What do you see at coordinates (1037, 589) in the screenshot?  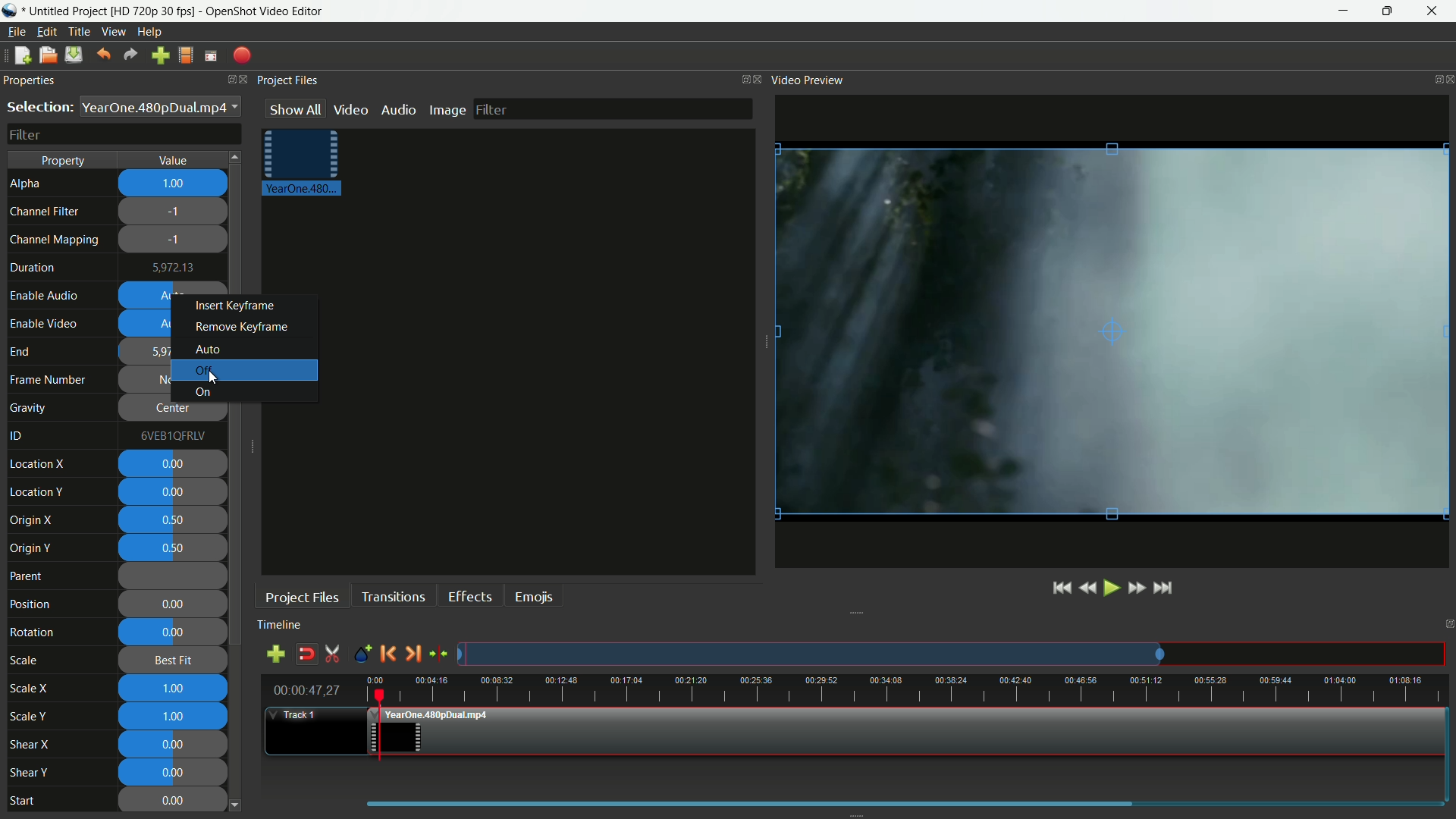 I see `play or pause` at bounding box center [1037, 589].